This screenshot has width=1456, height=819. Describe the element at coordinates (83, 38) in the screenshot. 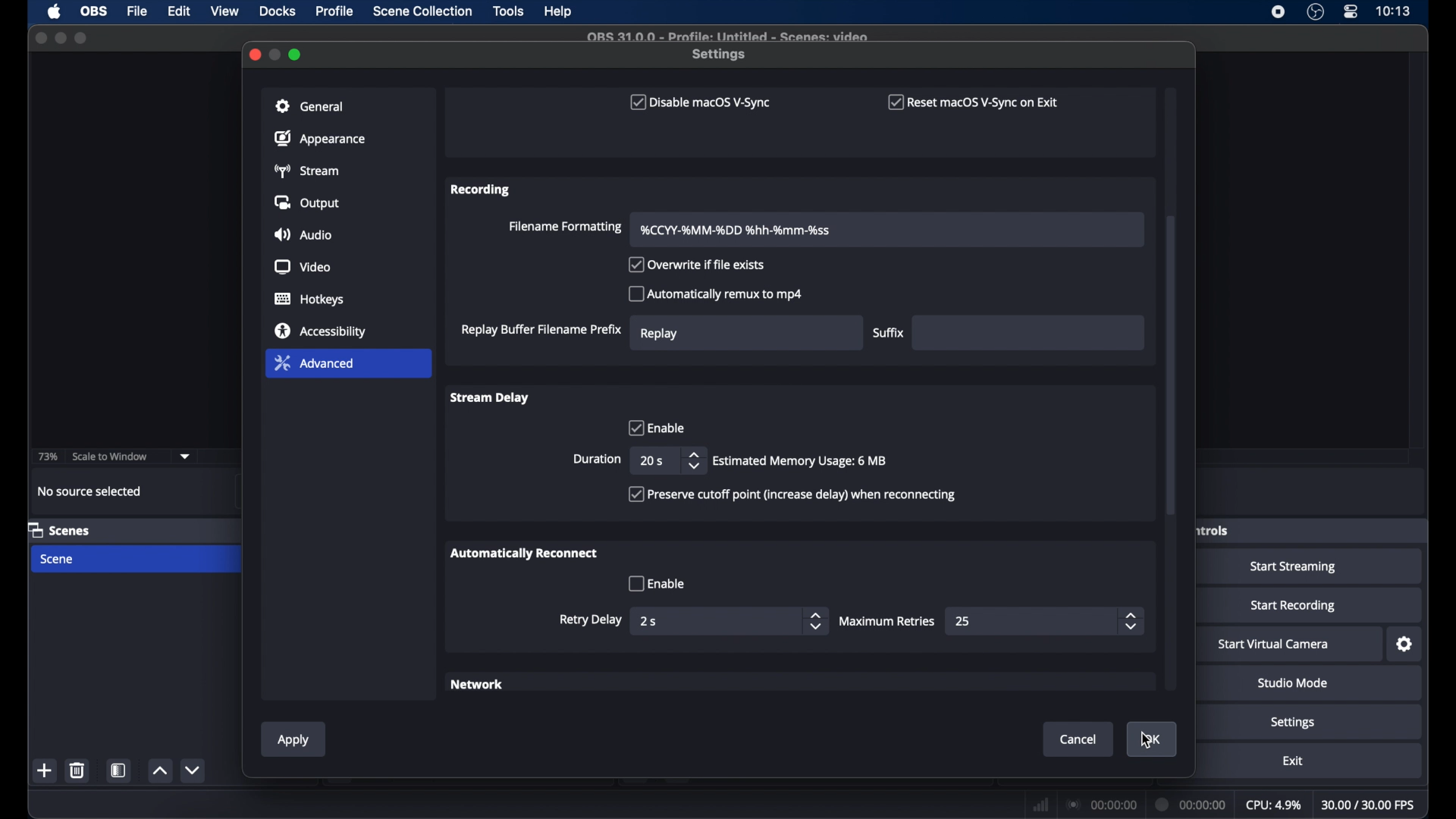

I see `maximize` at that location.